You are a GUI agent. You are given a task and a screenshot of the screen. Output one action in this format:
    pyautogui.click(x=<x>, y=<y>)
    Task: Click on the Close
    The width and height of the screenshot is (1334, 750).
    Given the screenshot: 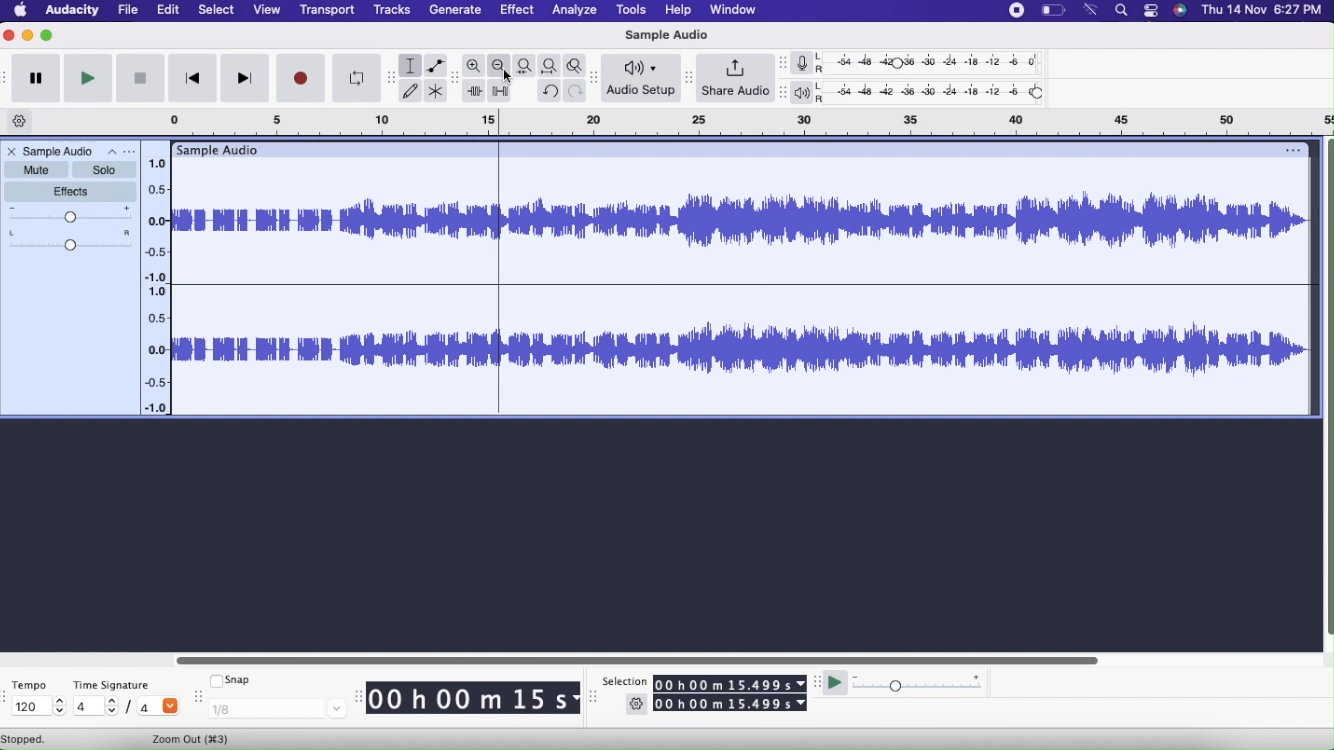 What is the action you would take?
    pyautogui.click(x=11, y=152)
    